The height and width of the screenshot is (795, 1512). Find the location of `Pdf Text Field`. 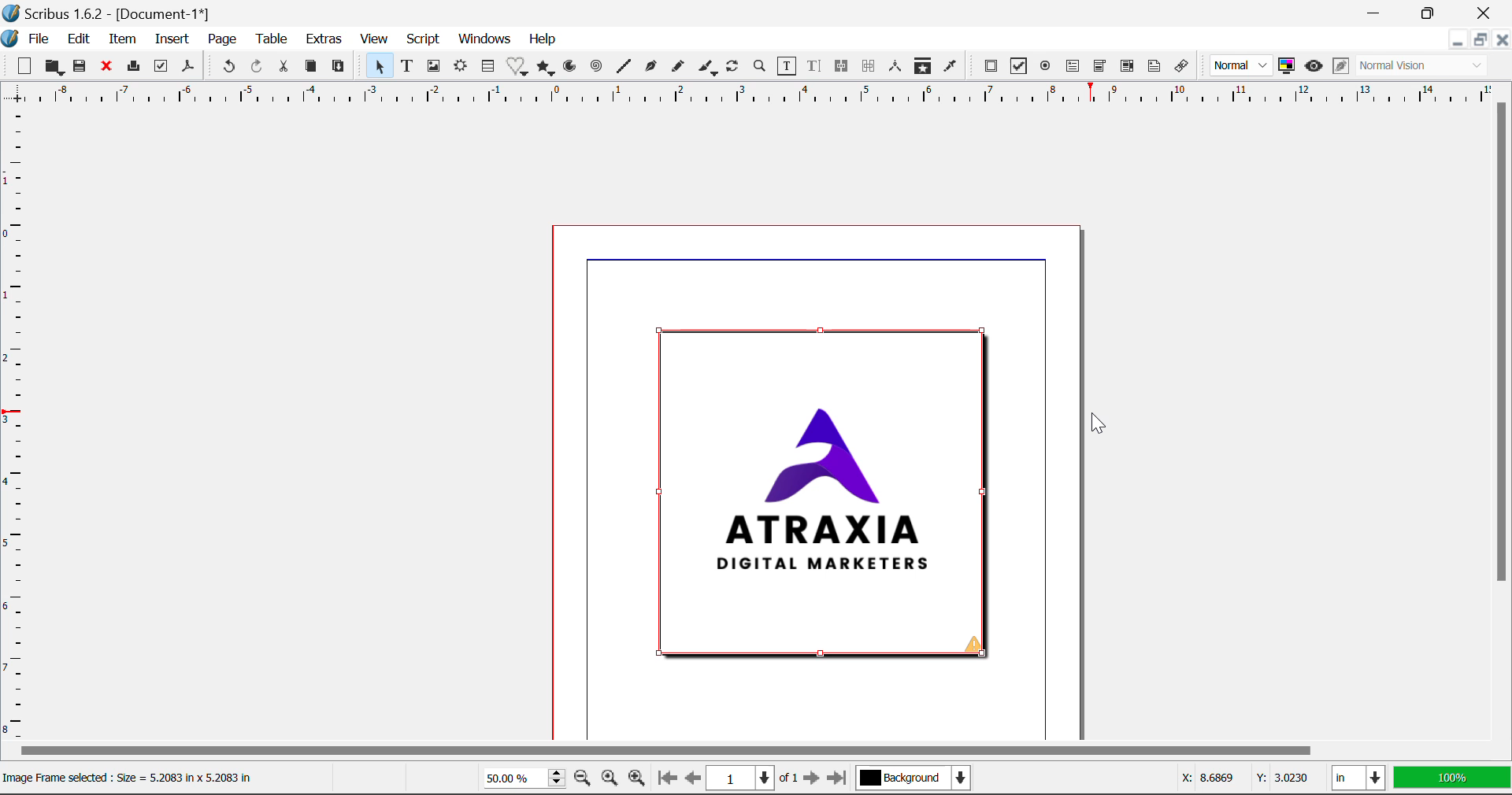

Pdf Text Field is located at coordinates (1074, 68).